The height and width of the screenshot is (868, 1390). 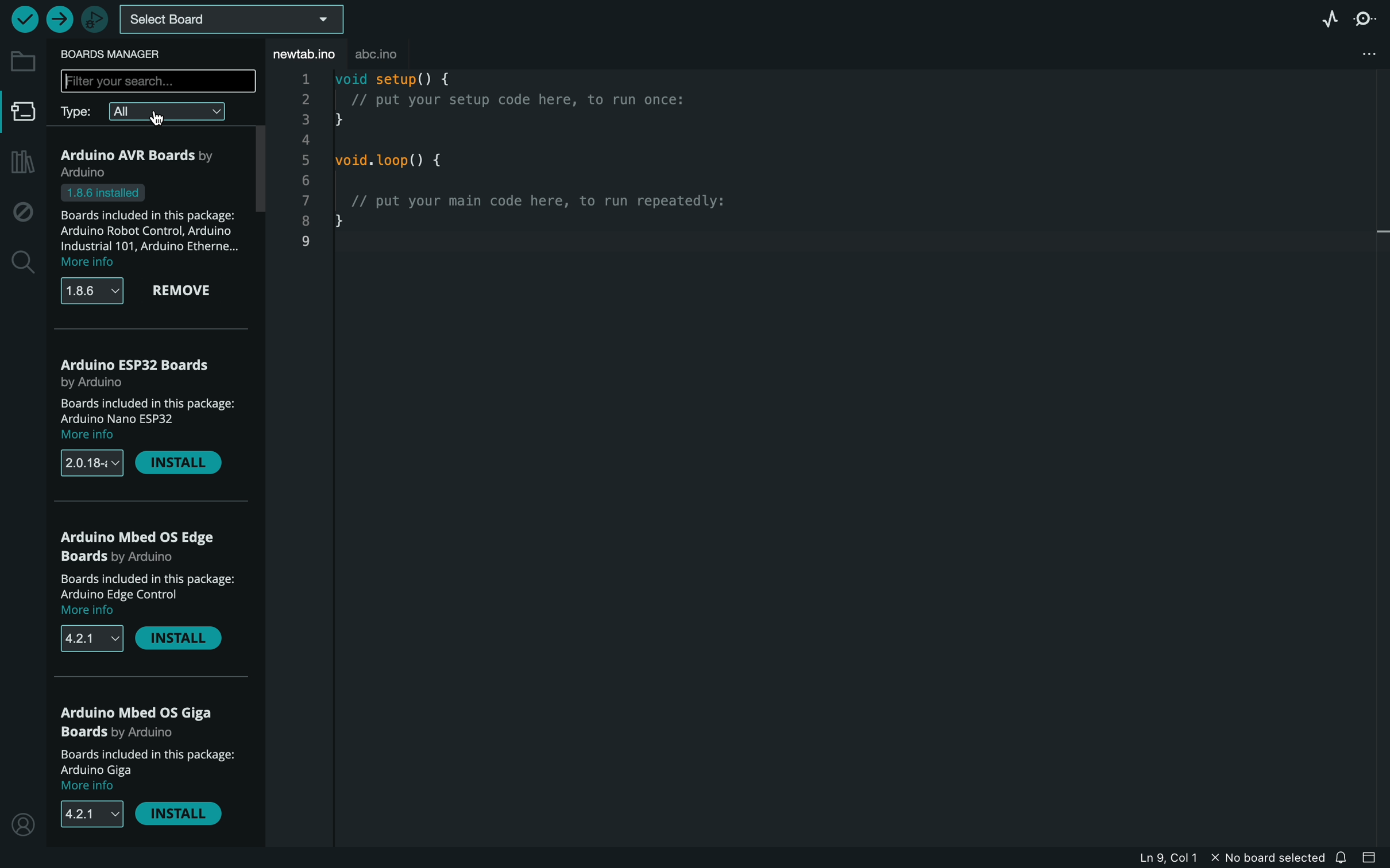 I want to click on versions, so click(x=96, y=290).